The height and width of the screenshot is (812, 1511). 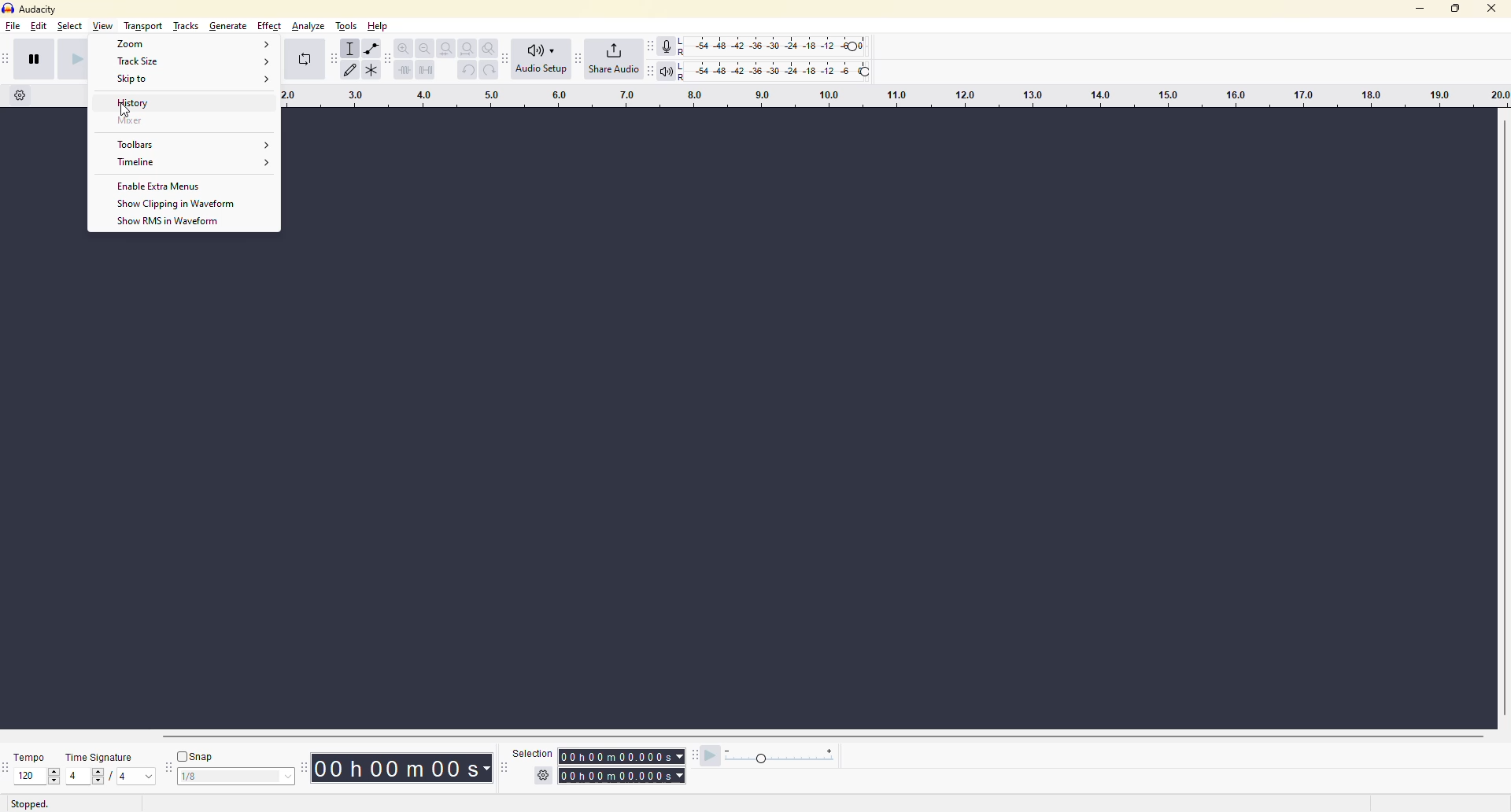 What do you see at coordinates (1417, 13) in the screenshot?
I see `minimize` at bounding box center [1417, 13].